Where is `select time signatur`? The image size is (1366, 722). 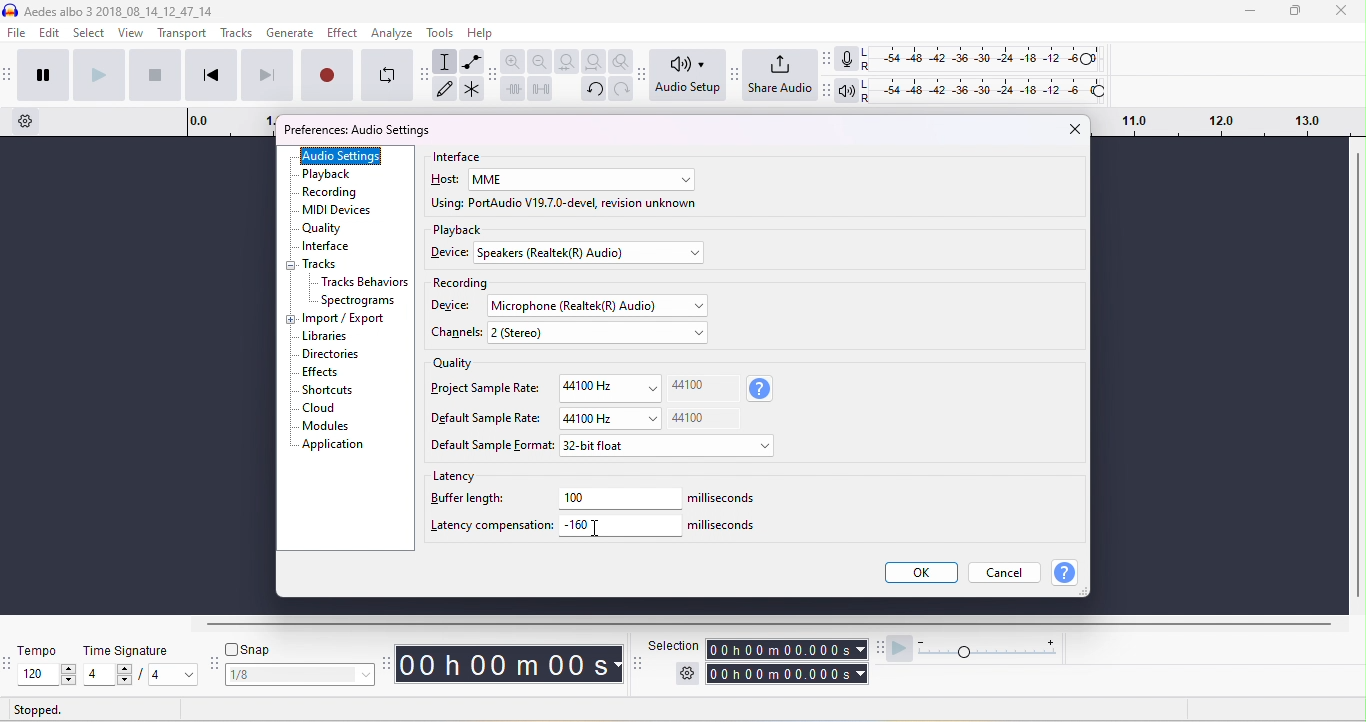 select time signatur is located at coordinates (143, 676).